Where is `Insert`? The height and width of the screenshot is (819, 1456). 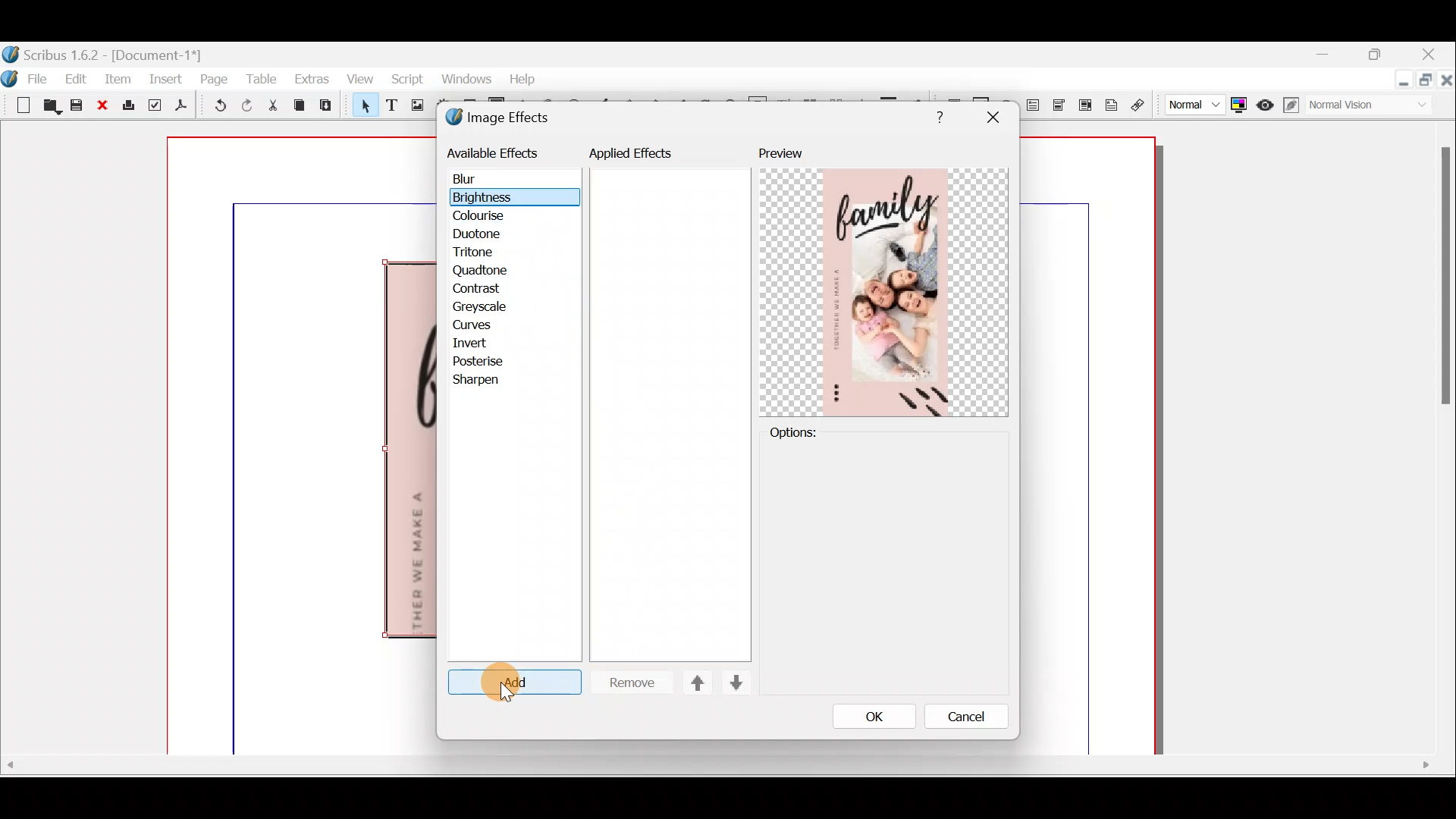
Insert is located at coordinates (167, 78).